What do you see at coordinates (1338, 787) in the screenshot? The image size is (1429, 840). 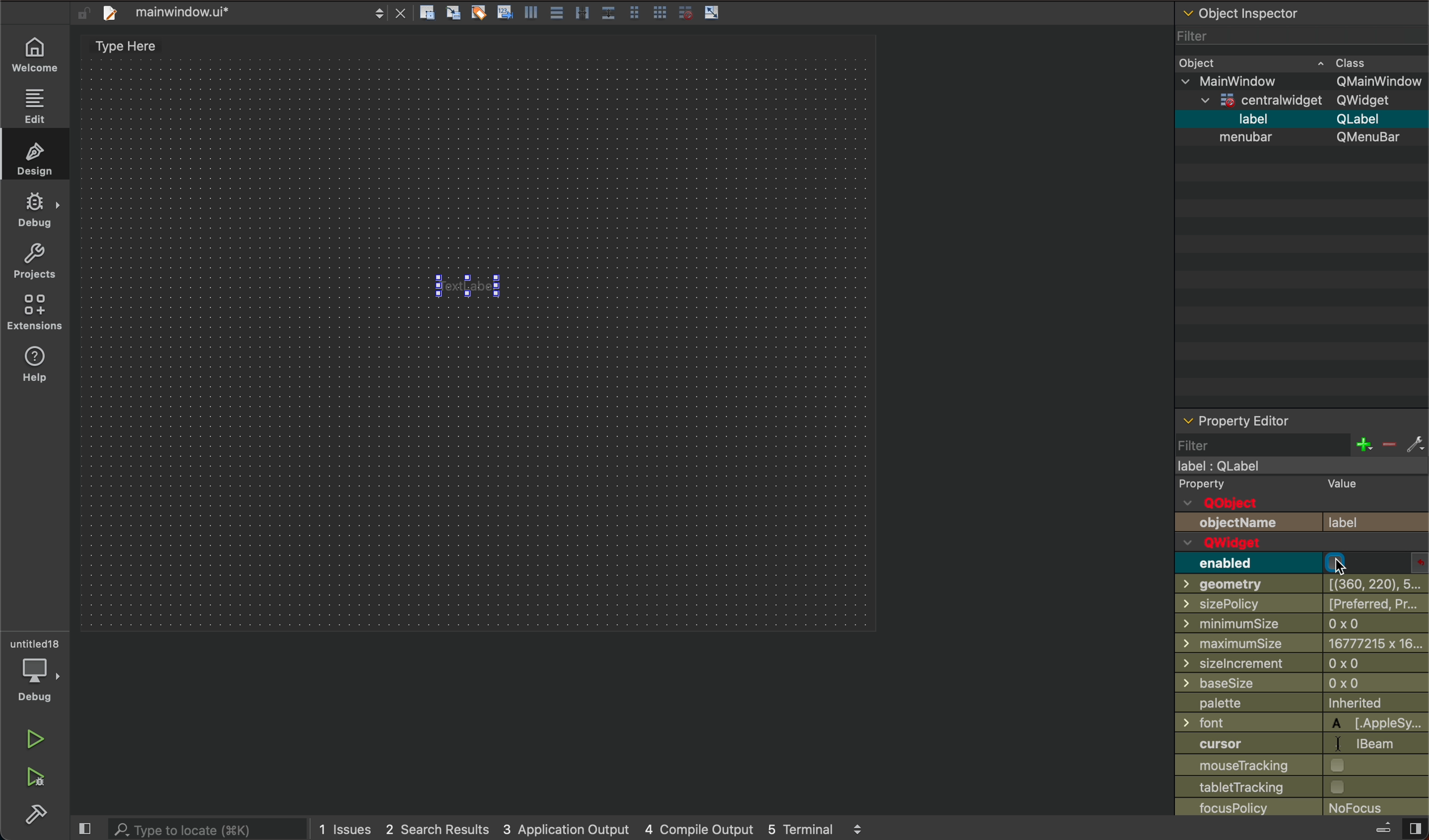 I see `checkbox` at bounding box center [1338, 787].